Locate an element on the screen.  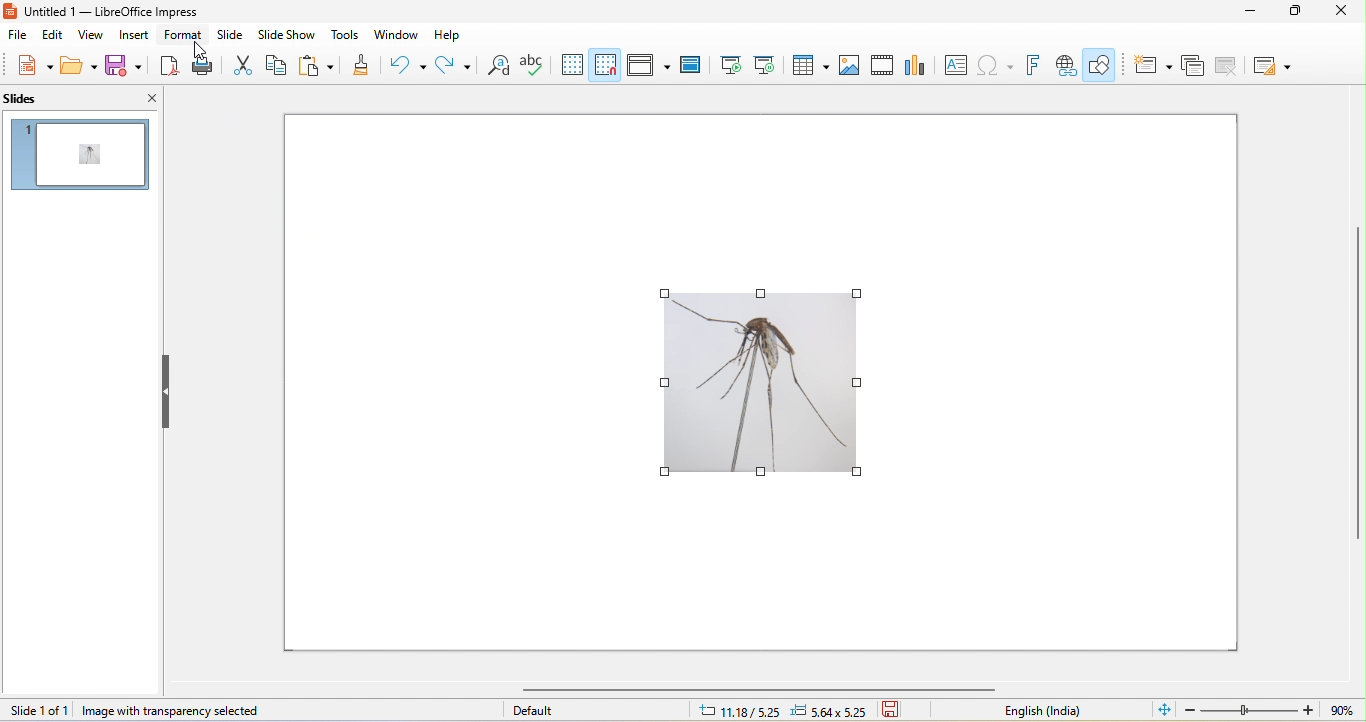
copy is located at coordinates (282, 65).